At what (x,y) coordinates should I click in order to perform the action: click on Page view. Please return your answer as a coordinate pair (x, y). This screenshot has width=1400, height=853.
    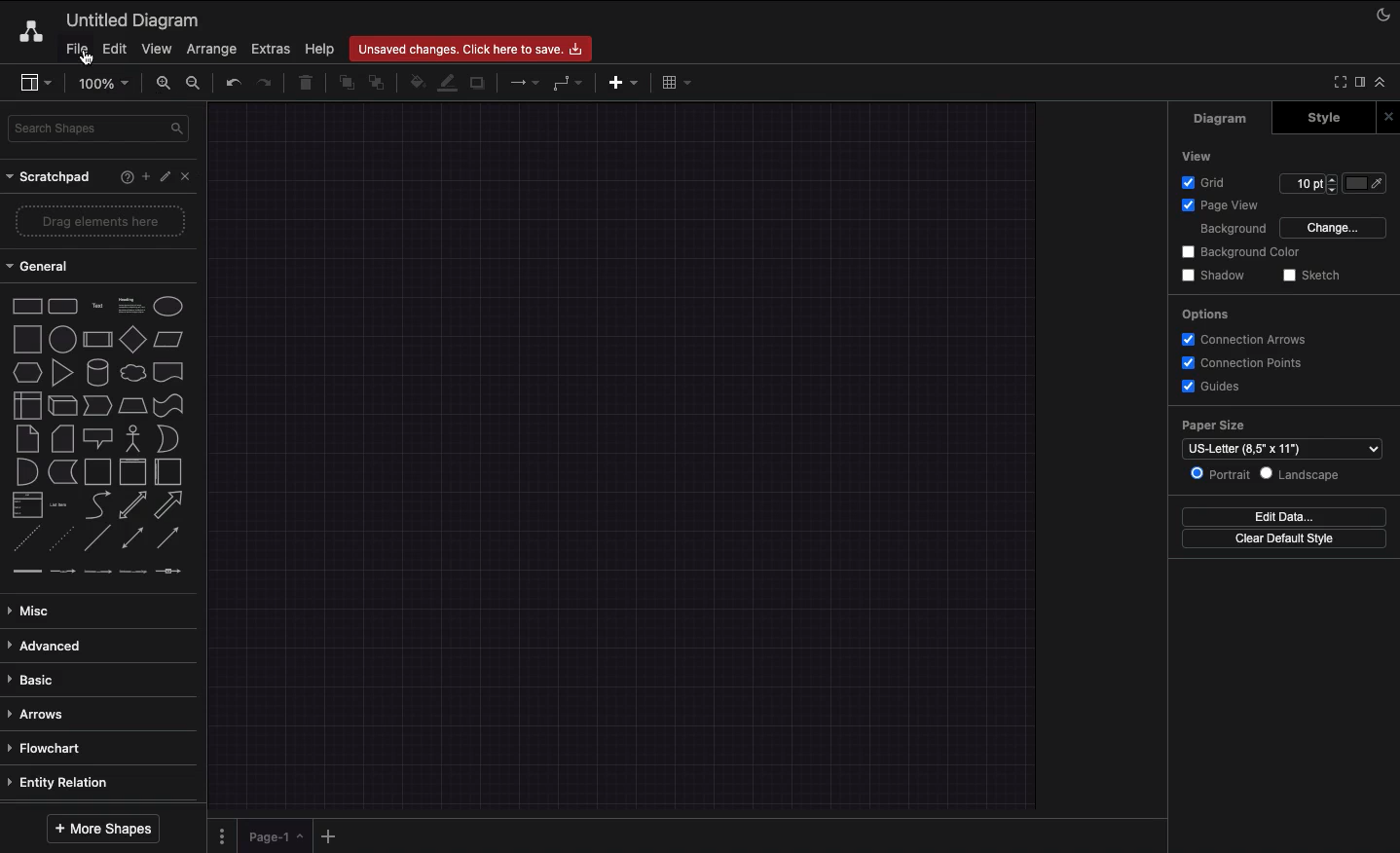
    Looking at the image, I should click on (1217, 206).